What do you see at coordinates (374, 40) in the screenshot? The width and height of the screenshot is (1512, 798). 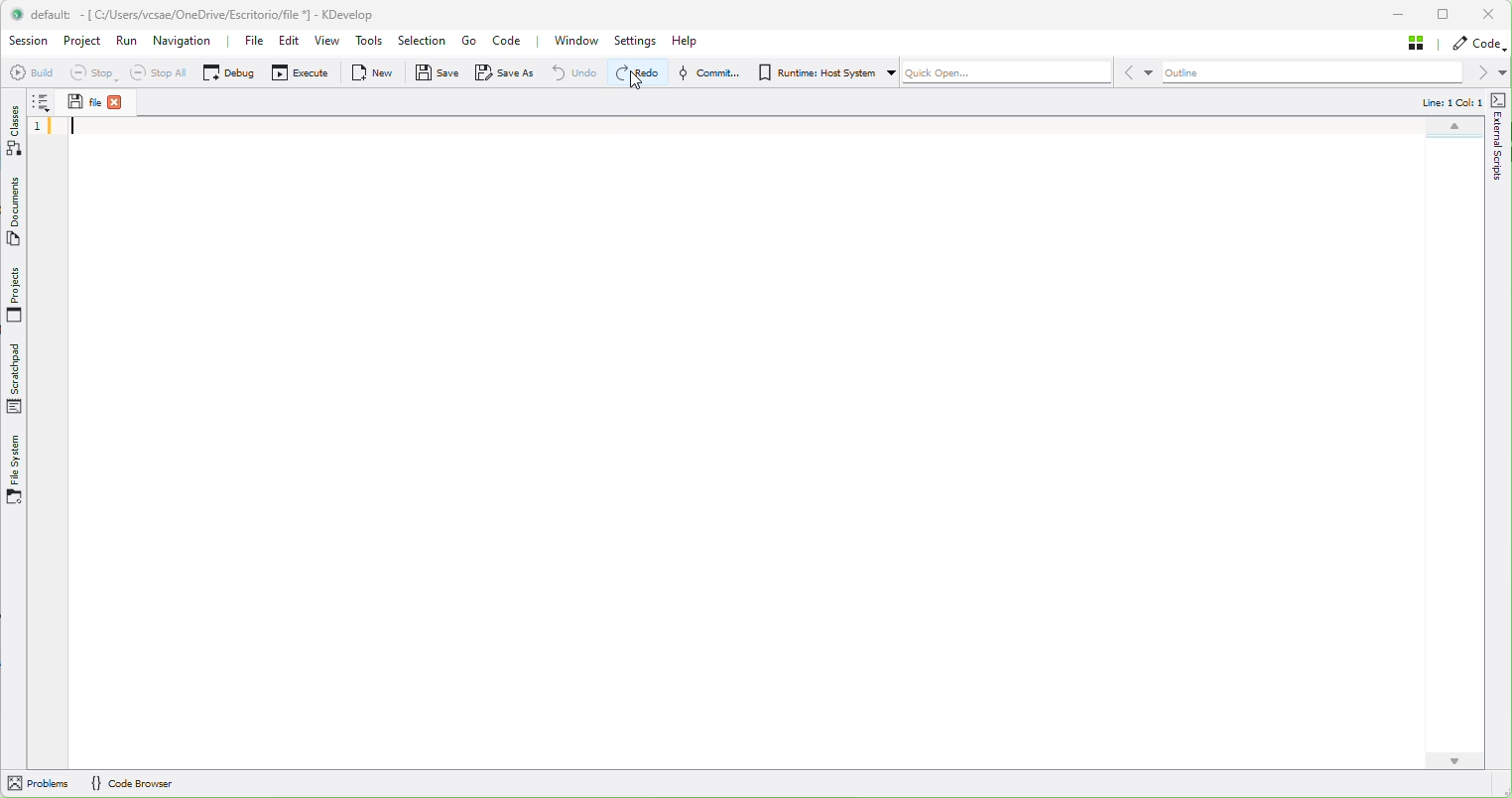 I see `Tools` at bounding box center [374, 40].